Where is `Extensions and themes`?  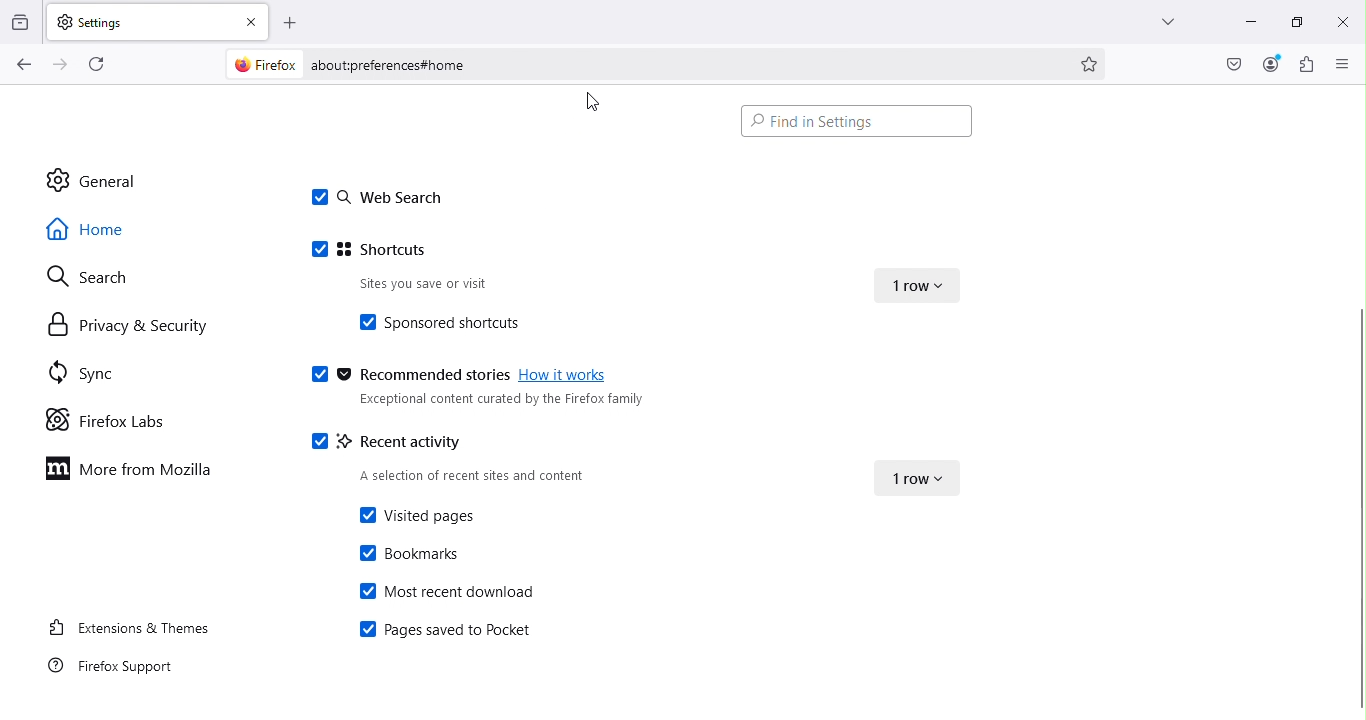 Extensions and themes is located at coordinates (125, 626).